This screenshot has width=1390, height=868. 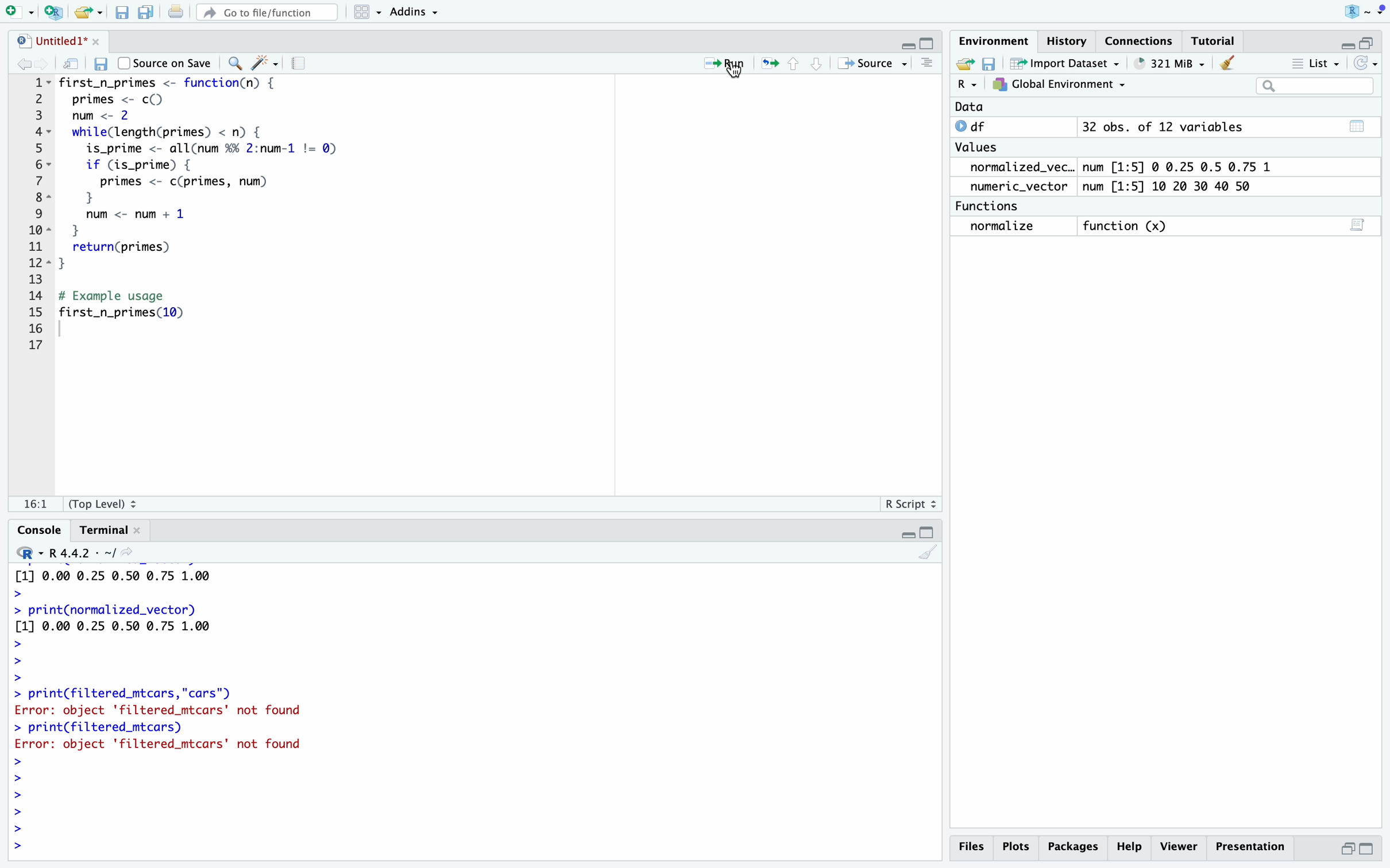 What do you see at coordinates (1018, 845) in the screenshot?
I see `Plots` at bounding box center [1018, 845].